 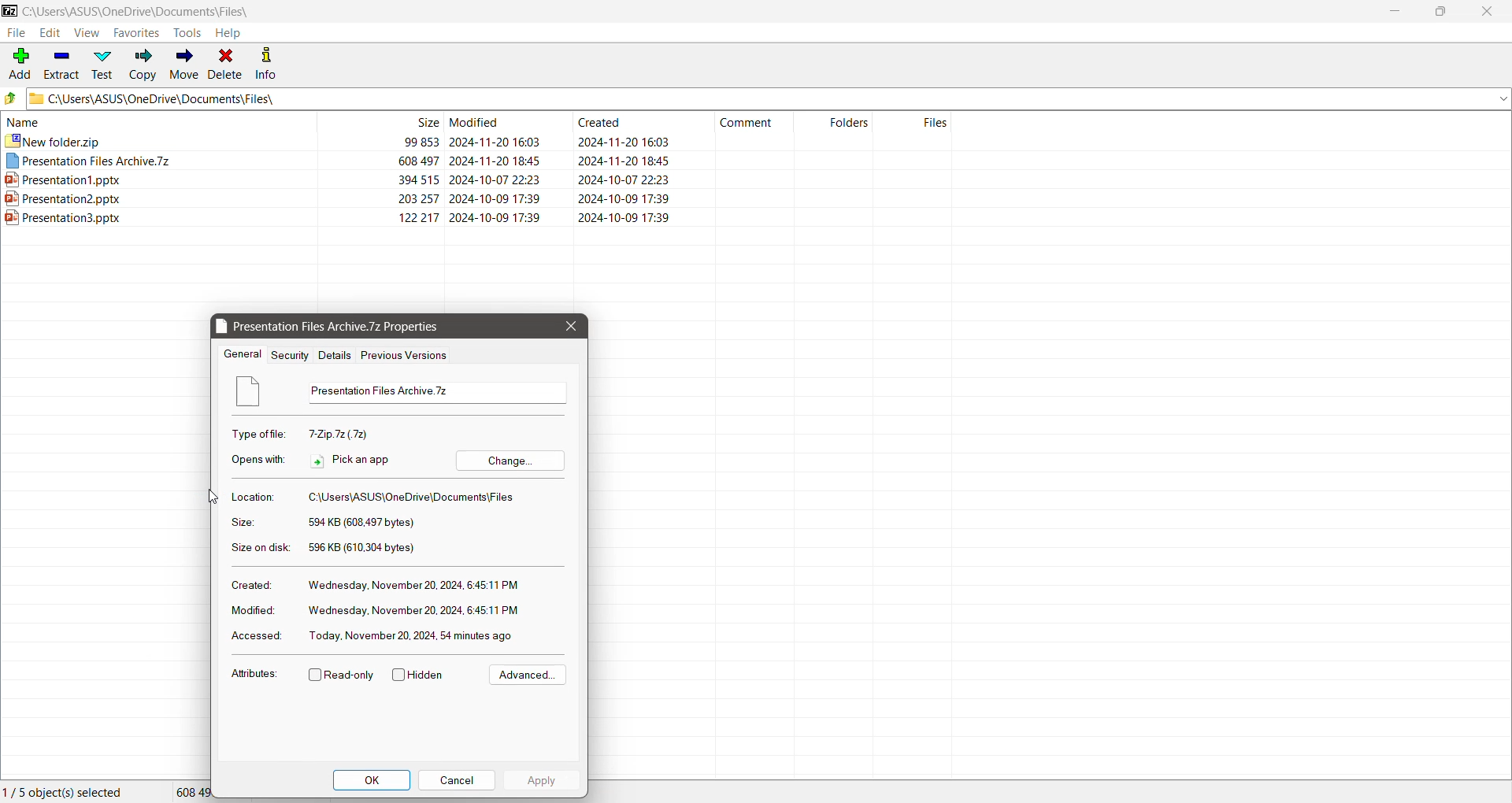 What do you see at coordinates (414, 610) in the screenshot?
I see `Archive File Modified Date` at bounding box center [414, 610].